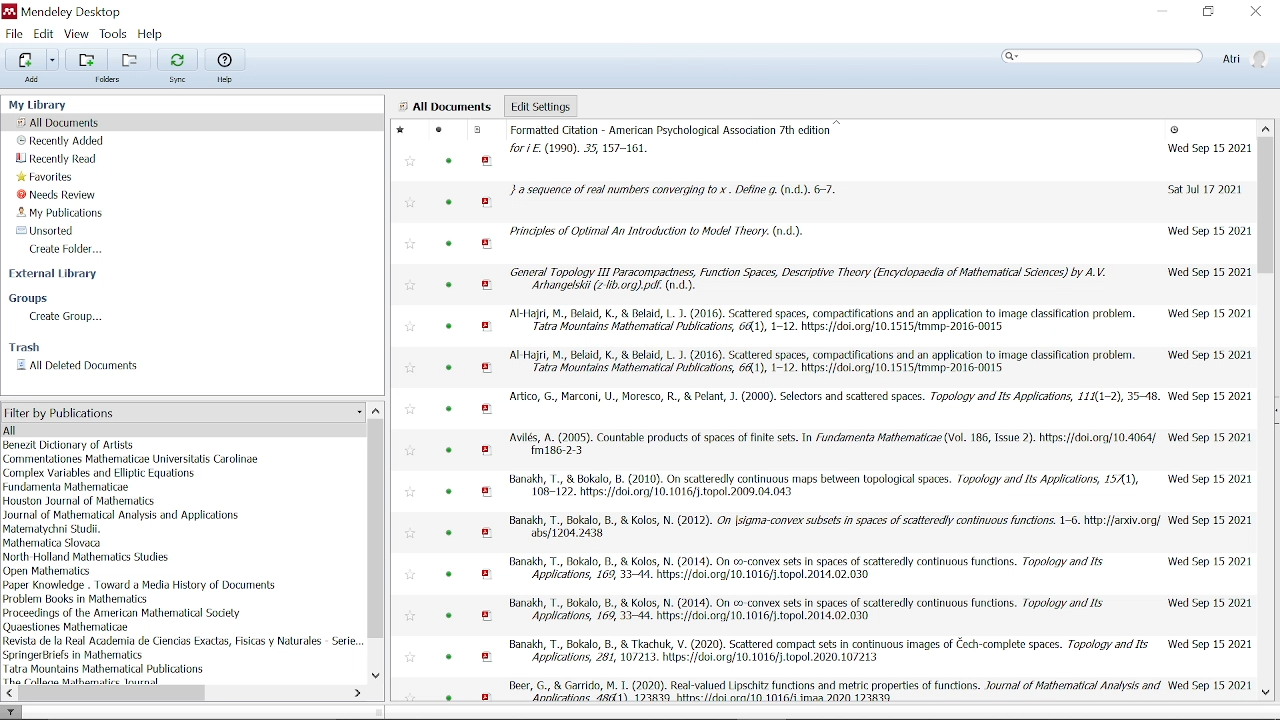  What do you see at coordinates (409, 163) in the screenshot?
I see `favourite` at bounding box center [409, 163].